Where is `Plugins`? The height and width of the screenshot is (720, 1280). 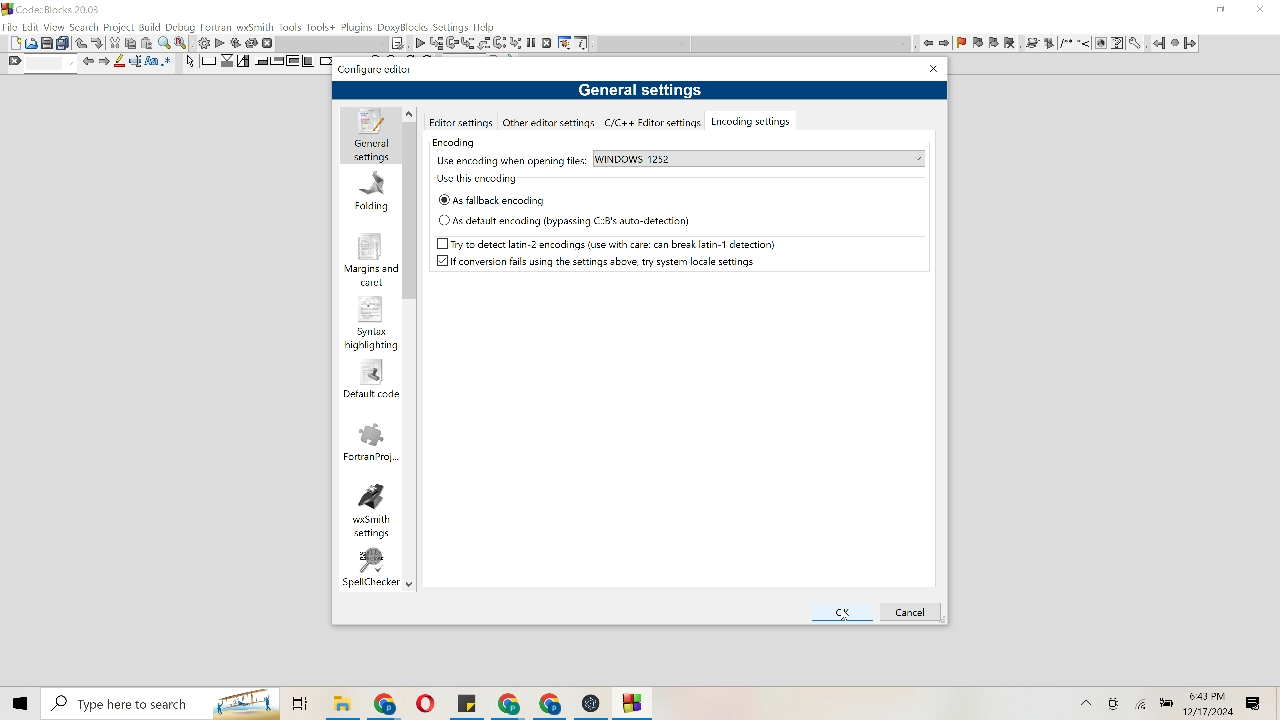 Plugins is located at coordinates (356, 27).